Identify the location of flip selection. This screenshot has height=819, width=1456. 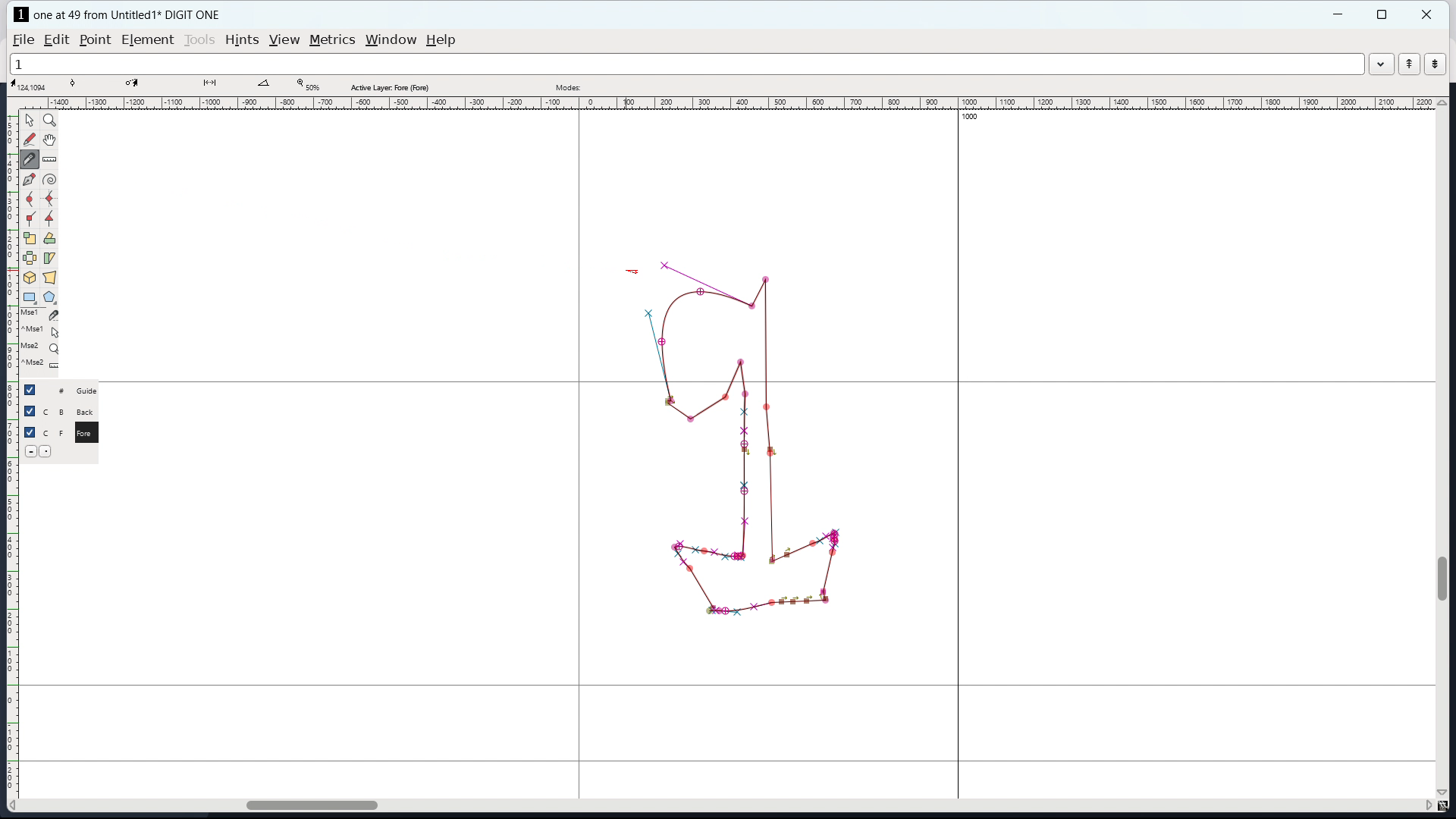
(29, 258).